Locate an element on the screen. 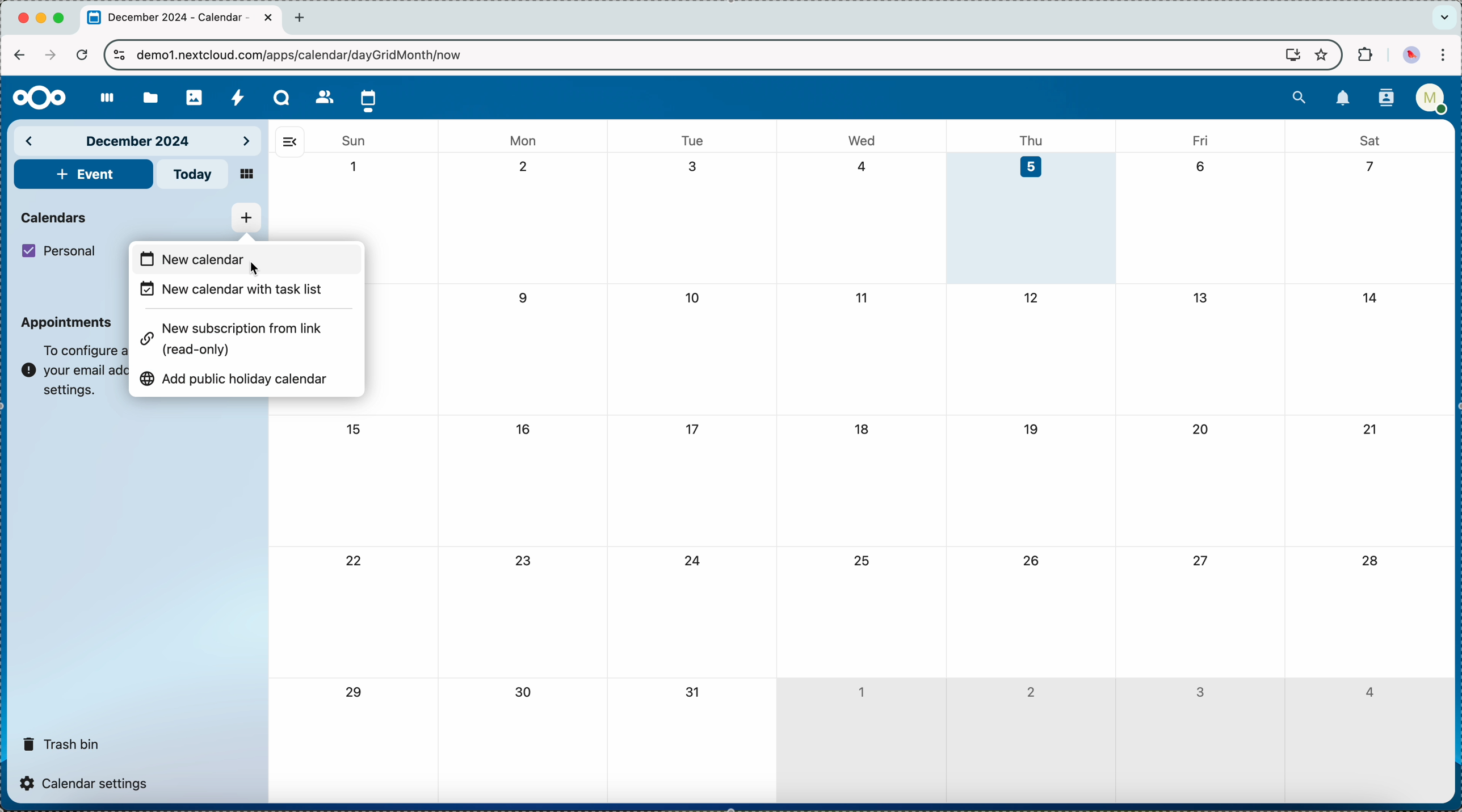 Image resolution: width=1462 pixels, height=812 pixels. december 2024 is located at coordinates (140, 140).